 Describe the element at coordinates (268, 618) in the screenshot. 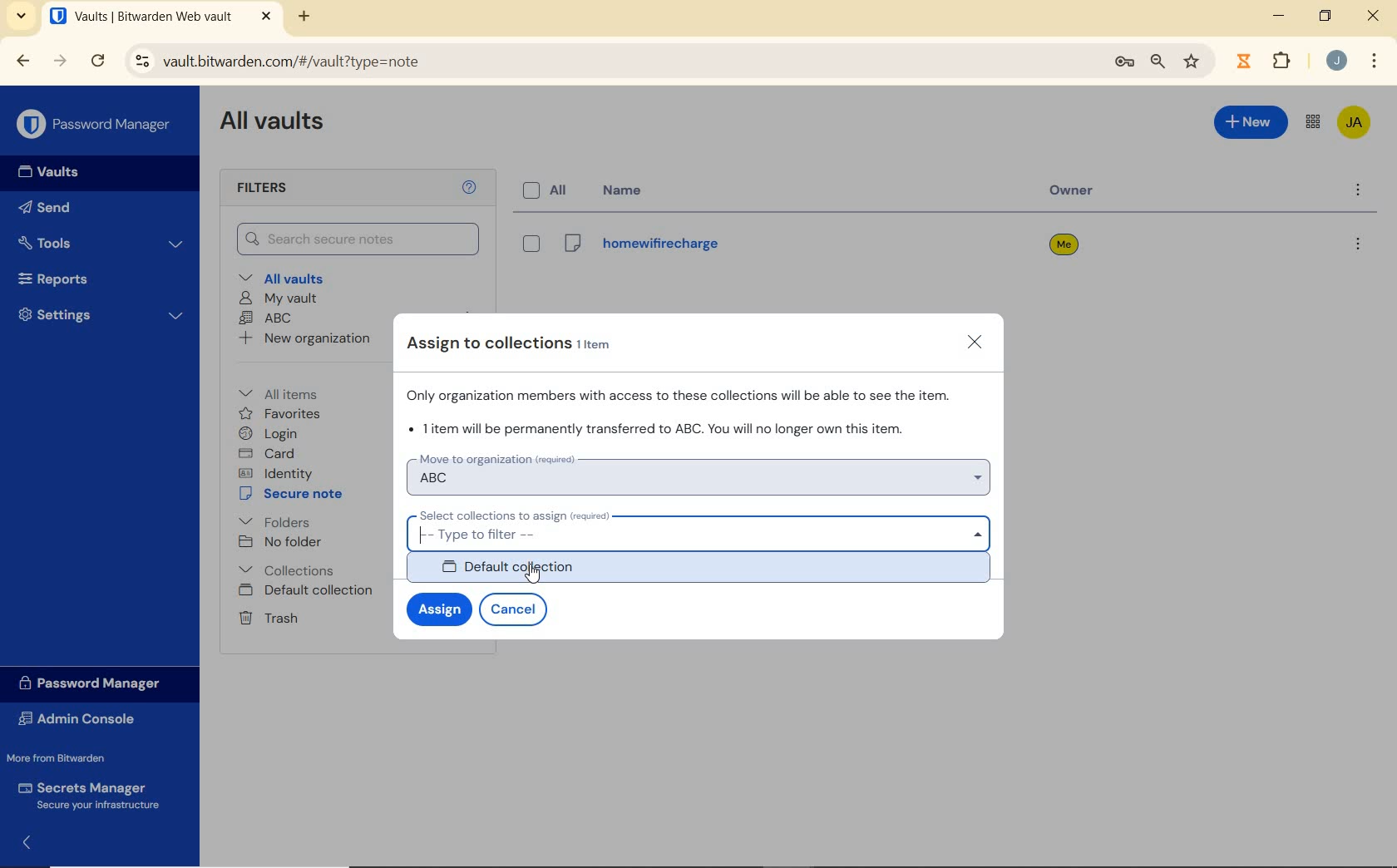

I see `Trash` at that location.